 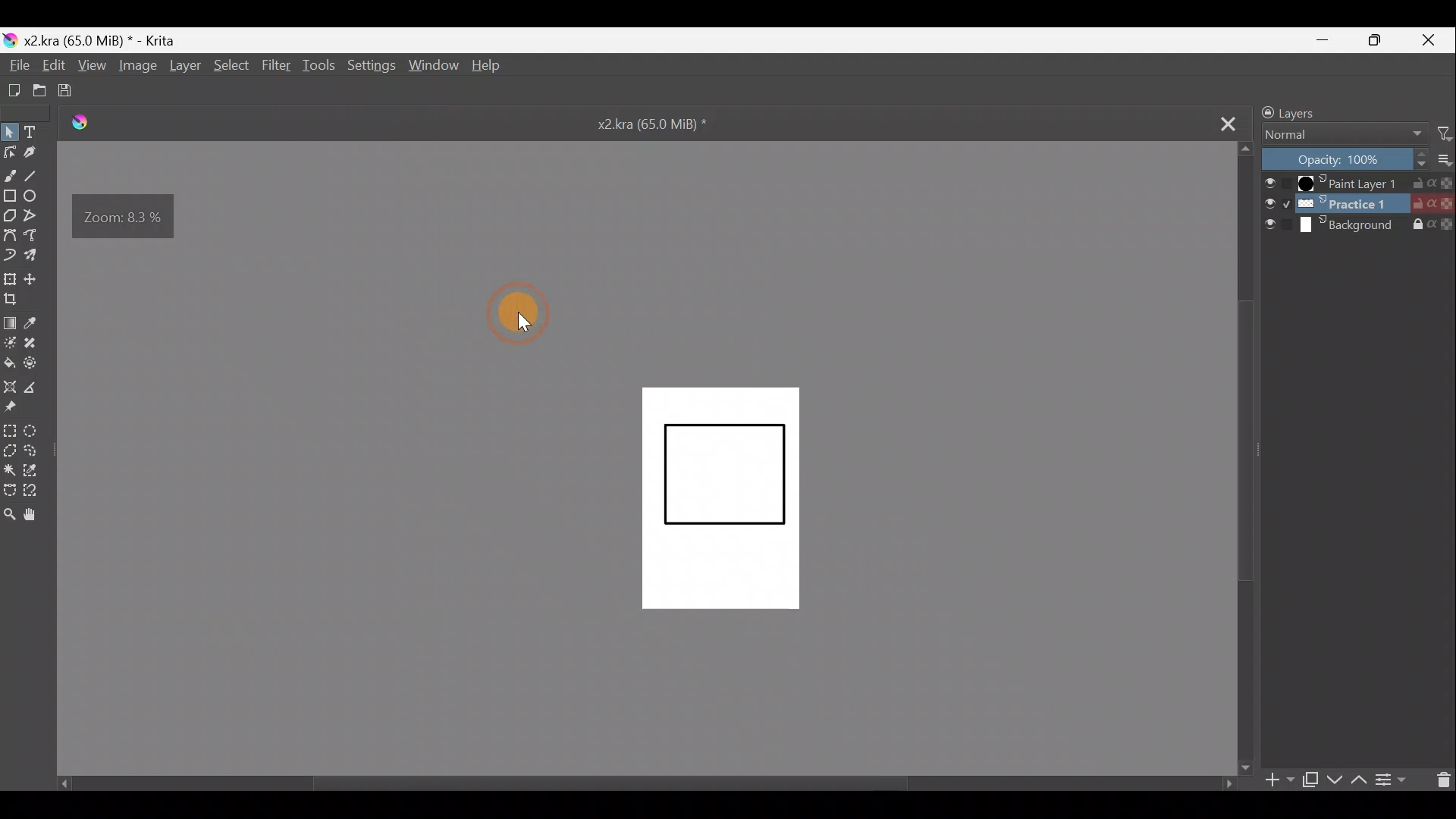 What do you see at coordinates (1447, 160) in the screenshot?
I see `More` at bounding box center [1447, 160].